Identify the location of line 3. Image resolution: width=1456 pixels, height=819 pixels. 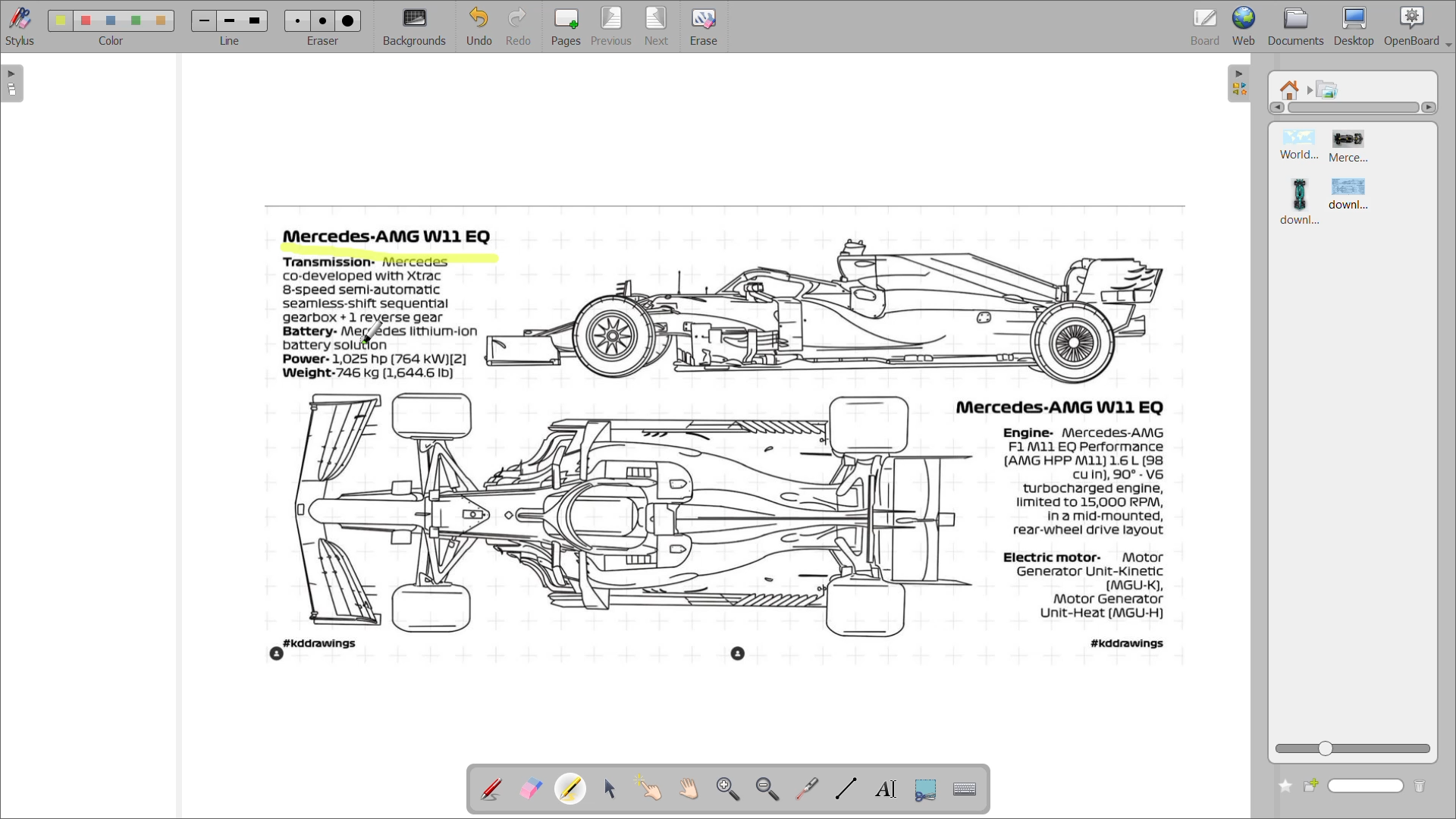
(258, 20).